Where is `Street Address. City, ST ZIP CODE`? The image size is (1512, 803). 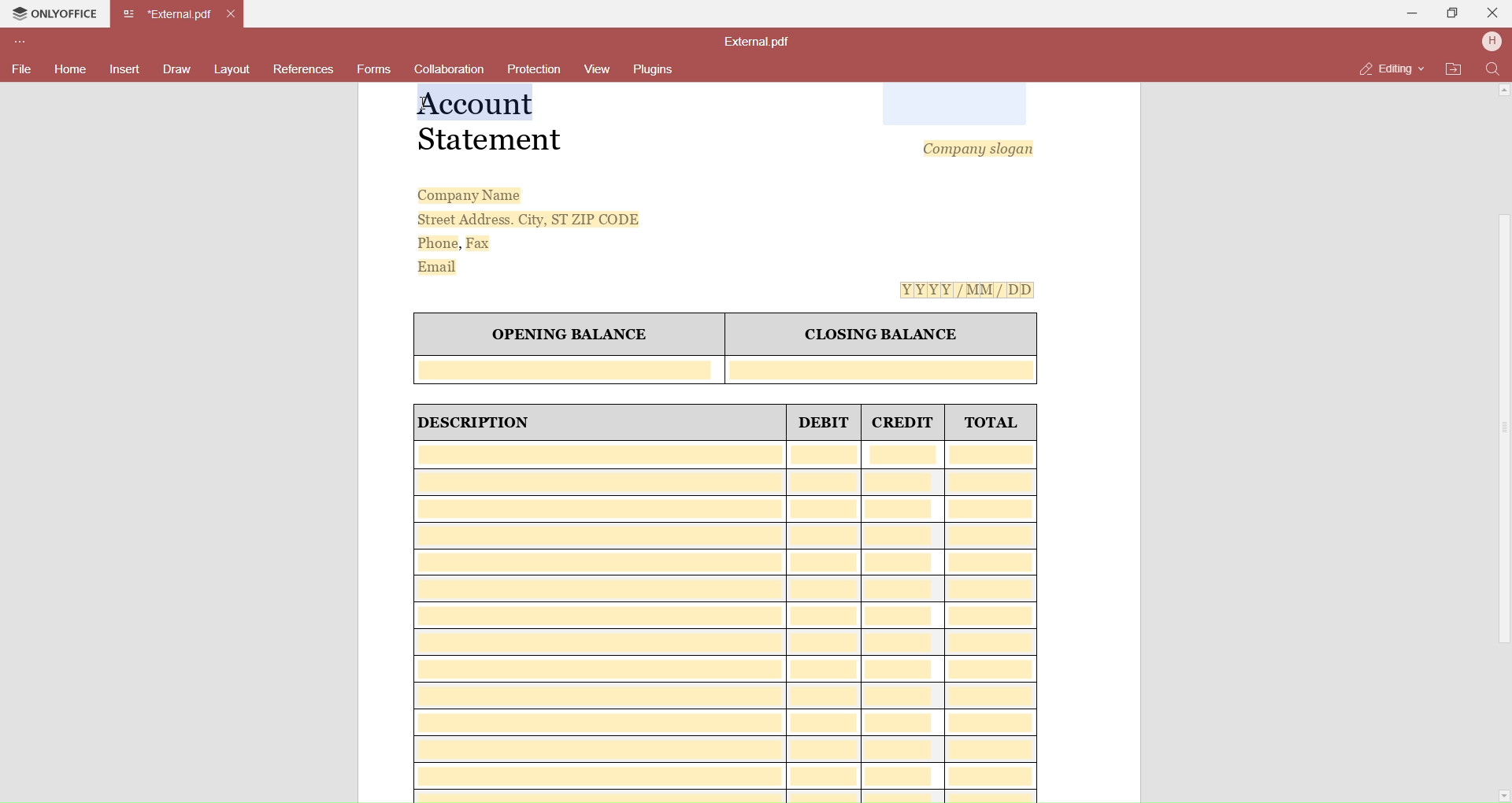
Street Address. City, ST ZIP CODE is located at coordinates (529, 219).